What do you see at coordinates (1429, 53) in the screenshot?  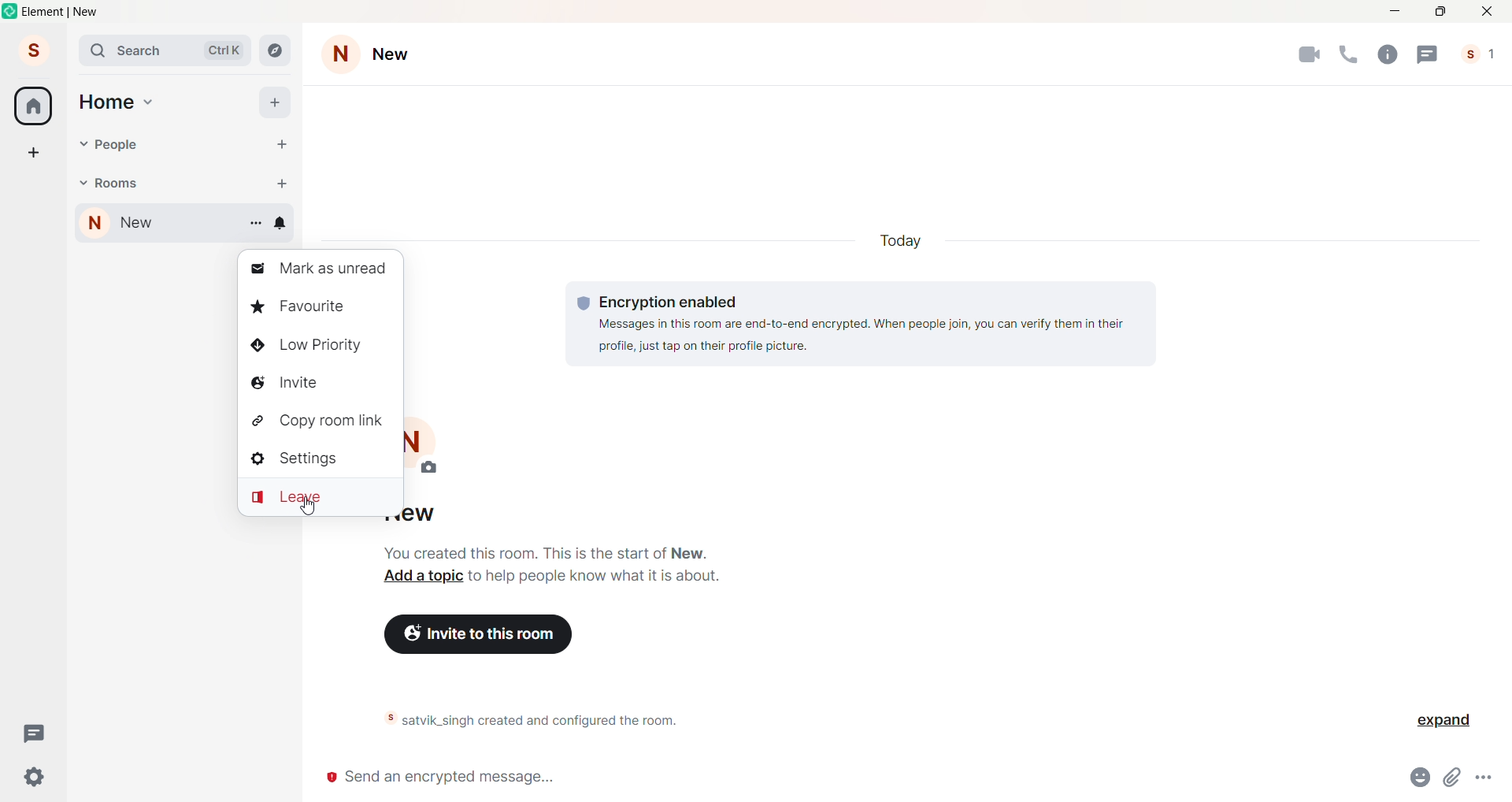 I see `Threads` at bounding box center [1429, 53].